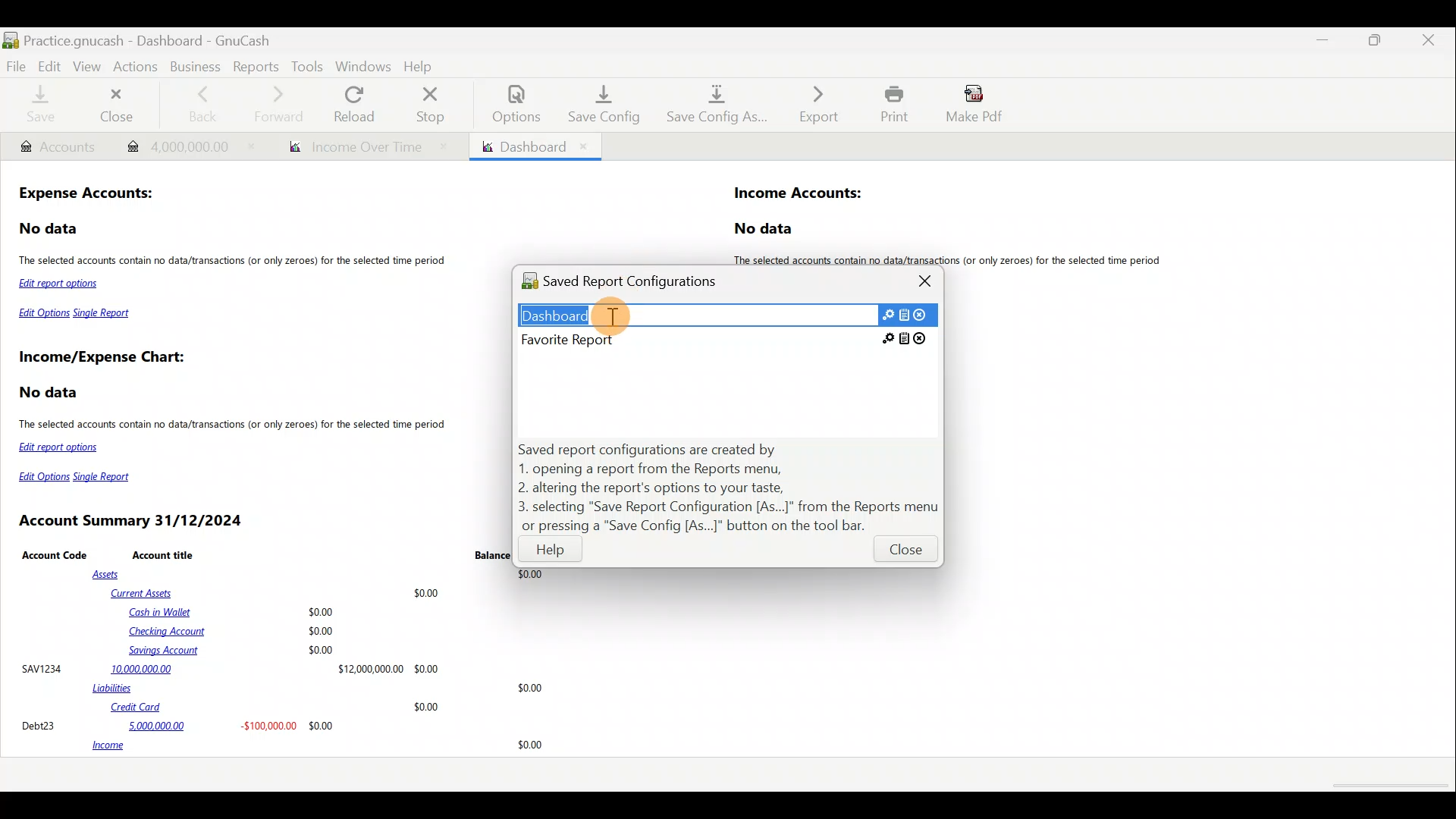 This screenshot has width=1456, height=819. What do you see at coordinates (321, 688) in the screenshot?
I see `Liabilities $0.00` at bounding box center [321, 688].